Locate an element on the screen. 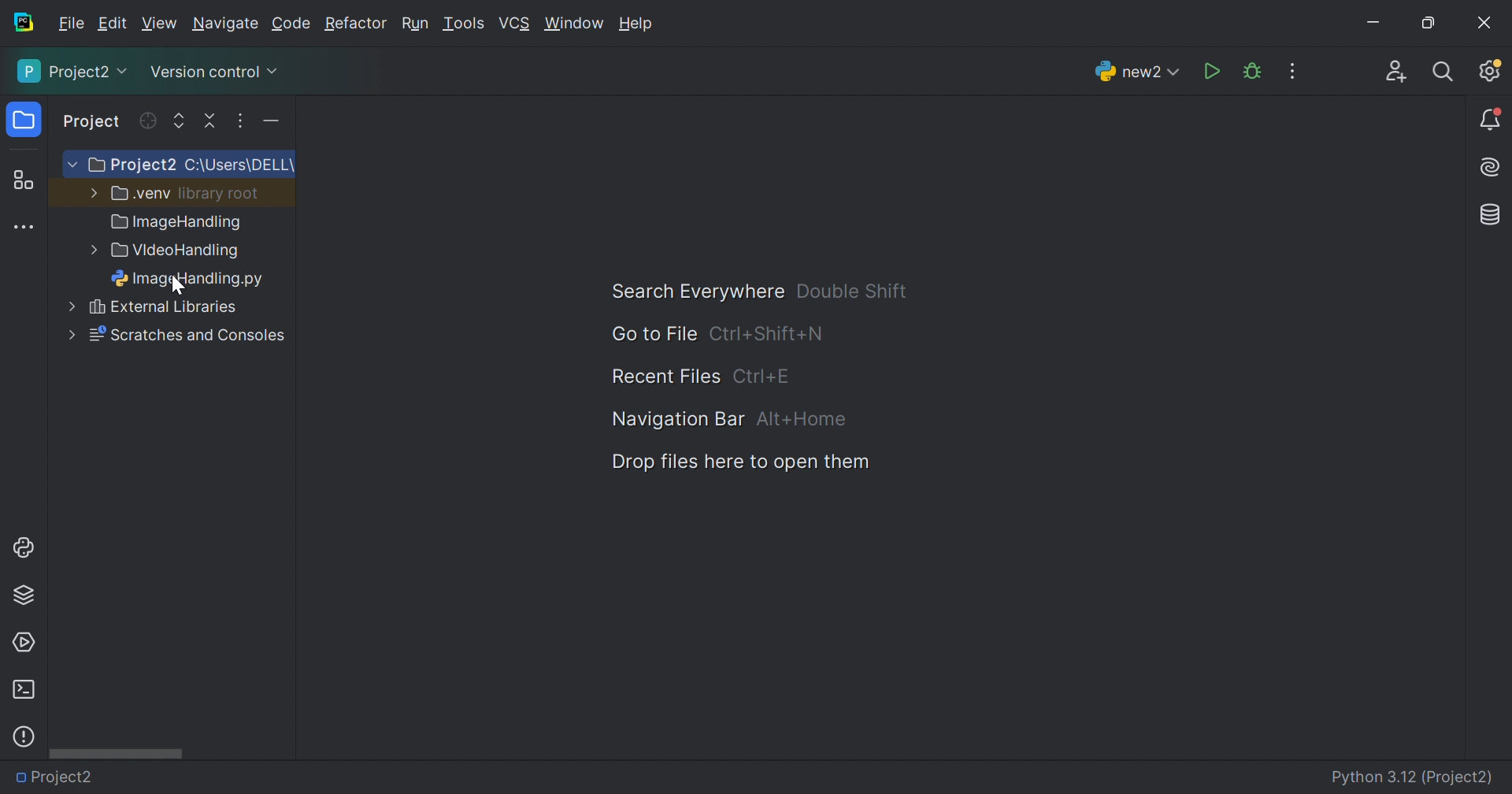  Run is located at coordinates (415, 25).